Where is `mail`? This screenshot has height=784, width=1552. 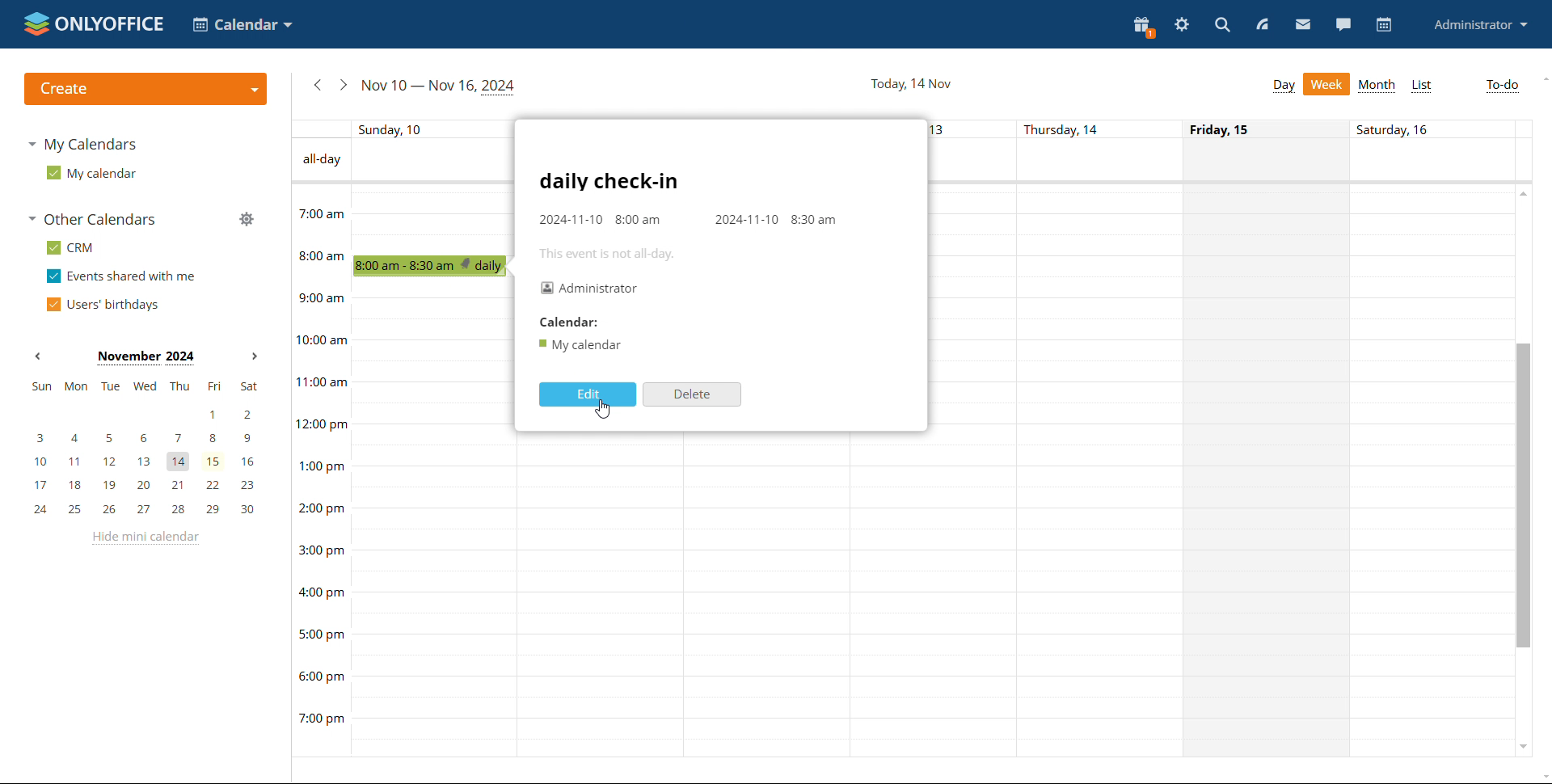
mail is located at coordinates (1303, 23).